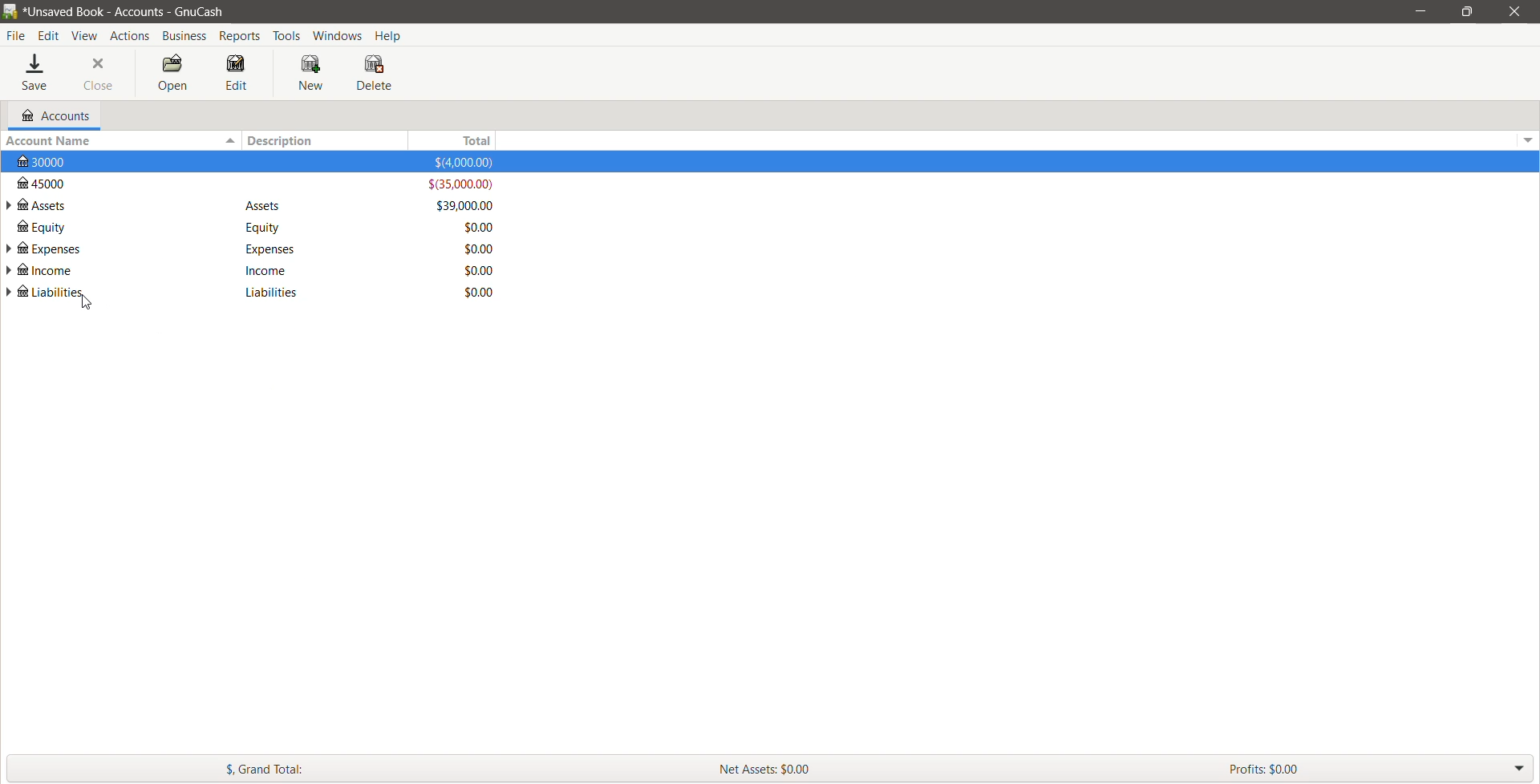 This screenshot has height=784, width=1540. Describe the element at coordinates (10, 12) in the screenshot. I see `Application Logo` at that location.